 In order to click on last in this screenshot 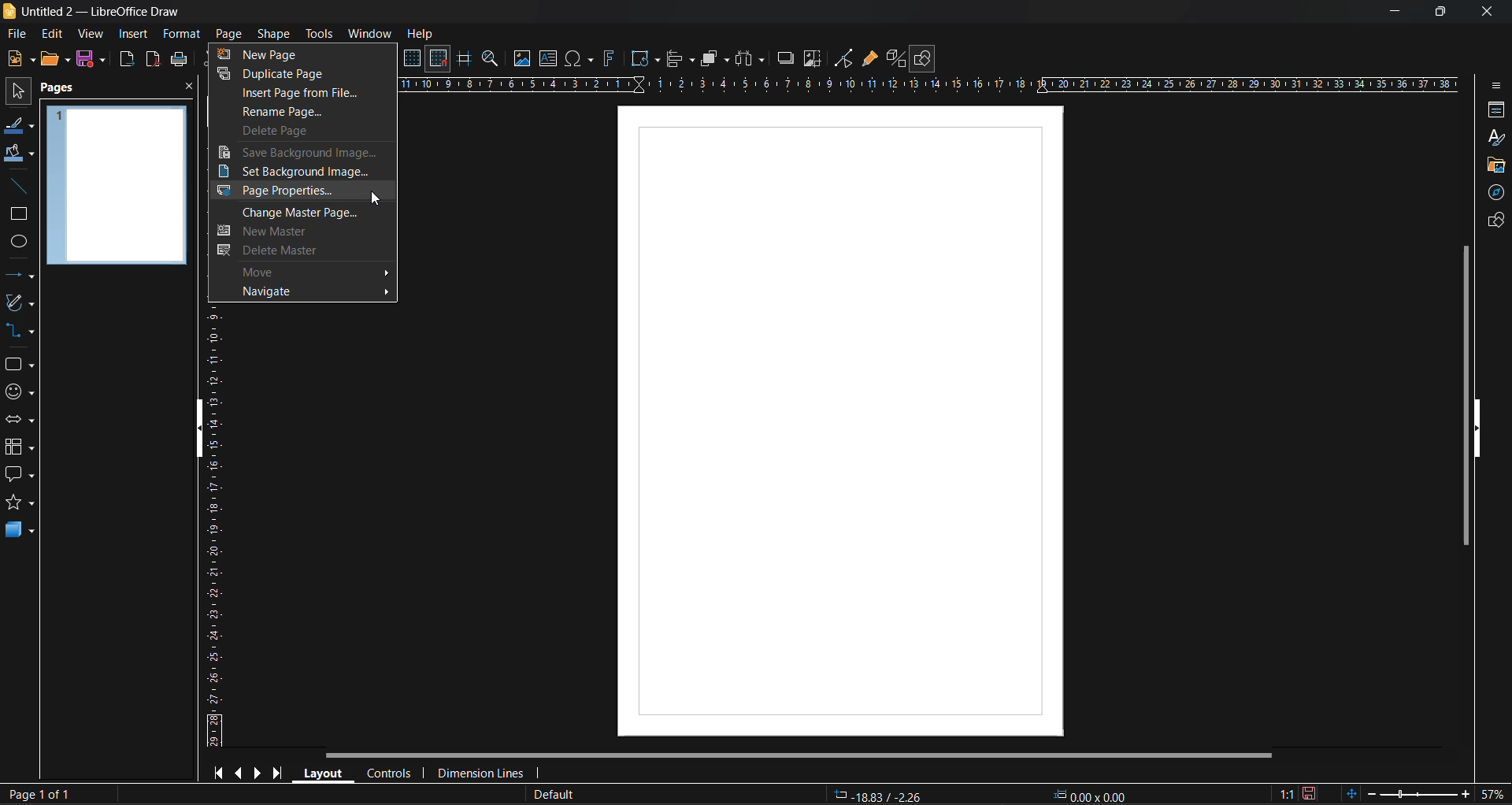, I will do `click(282, 773)`.